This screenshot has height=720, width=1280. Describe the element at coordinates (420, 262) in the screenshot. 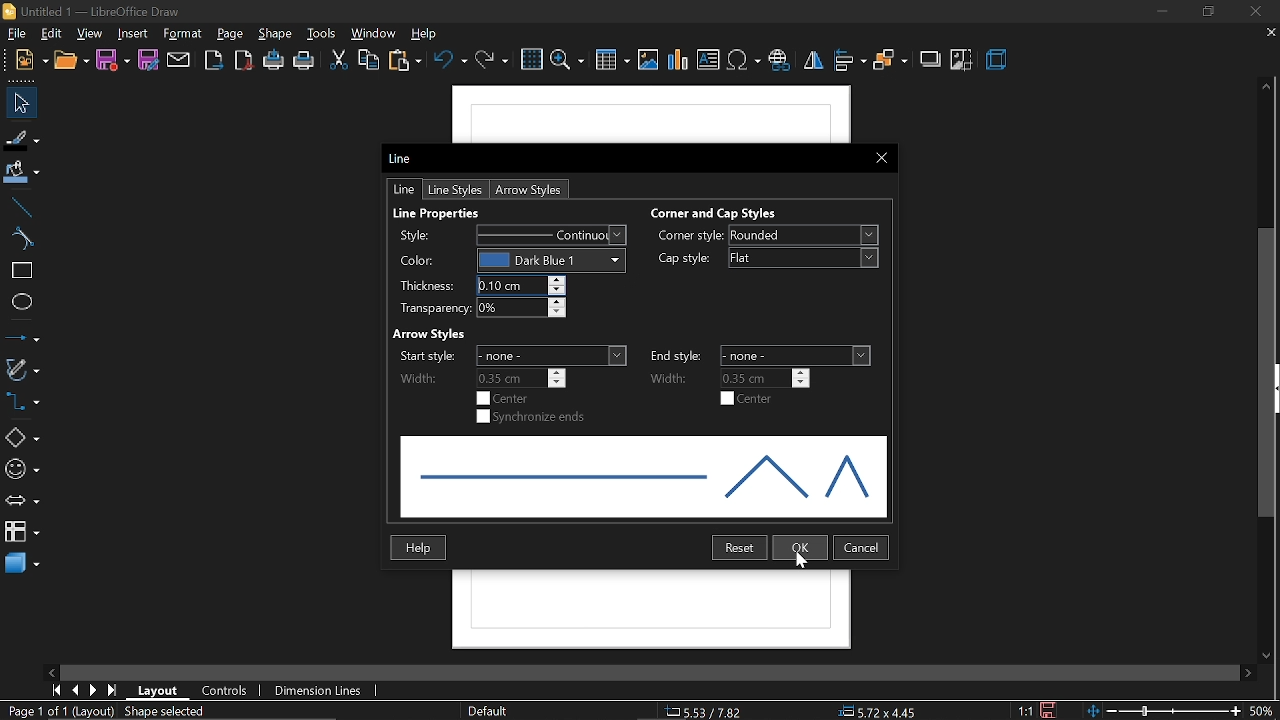

I see `Color:` at that location.